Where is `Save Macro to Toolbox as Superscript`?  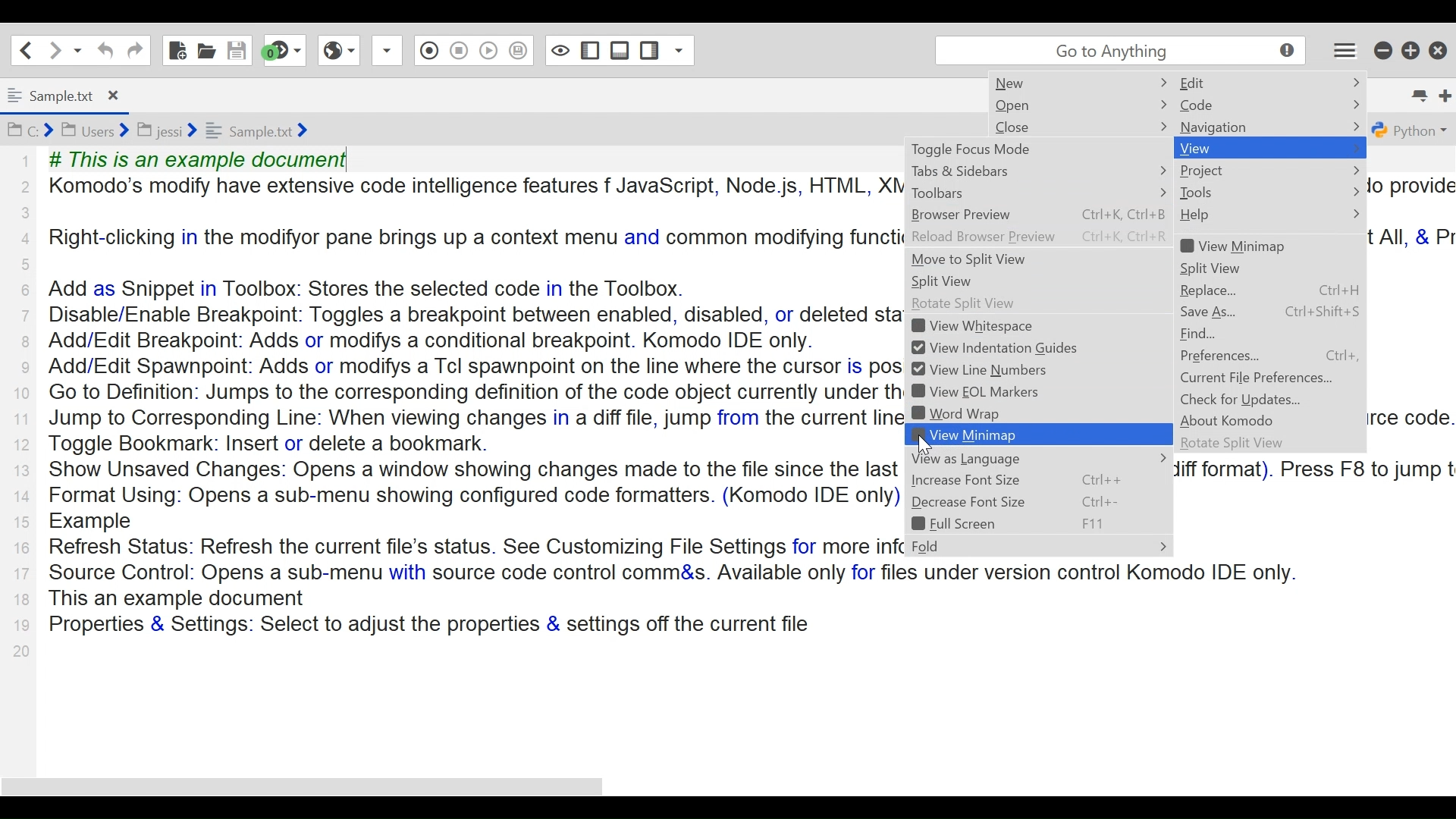 Save Macro to Toolbox as Superscript is located at coordinates (489, 49).